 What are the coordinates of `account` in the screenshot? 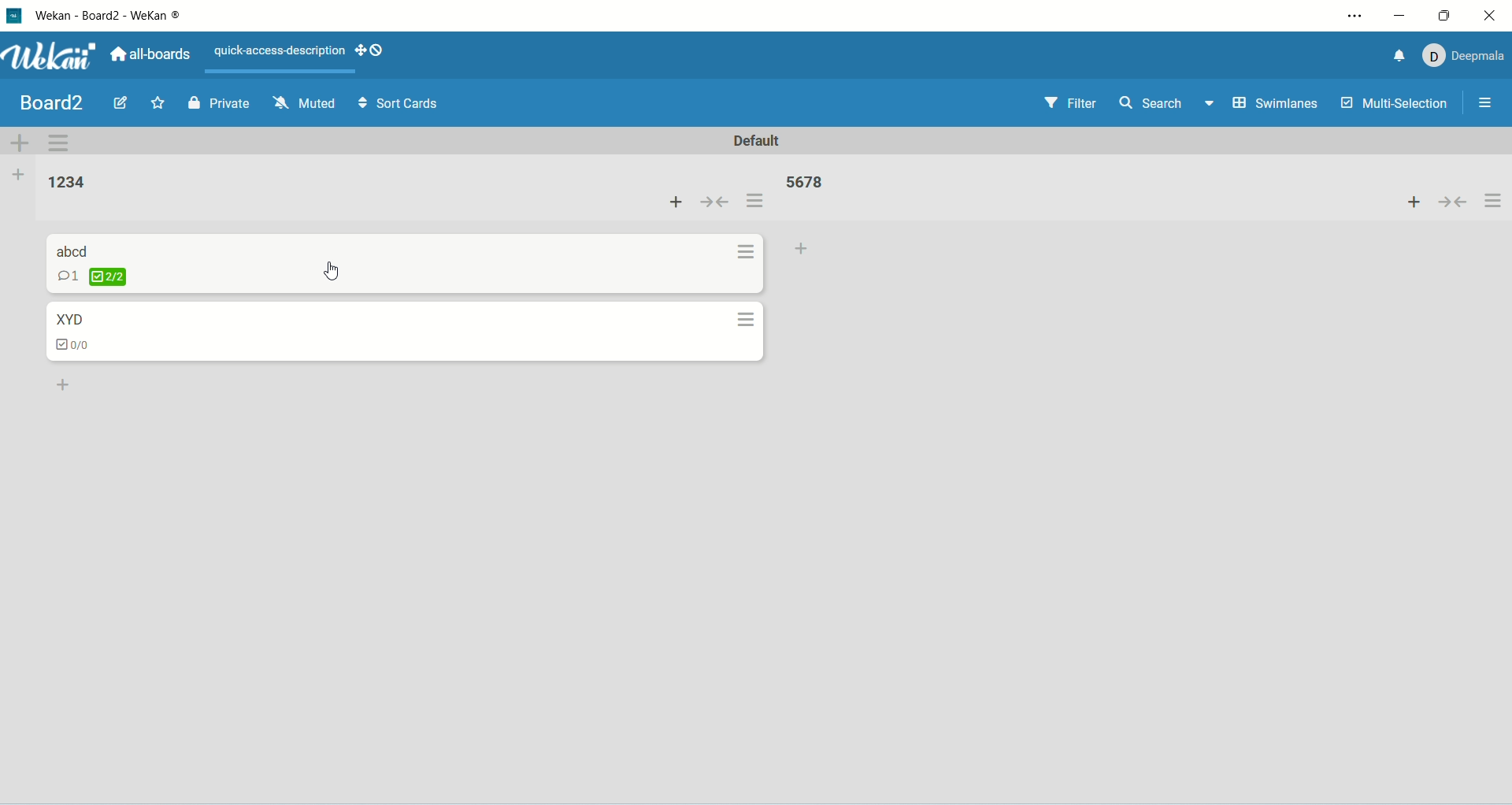 It's located at (1464, 56).